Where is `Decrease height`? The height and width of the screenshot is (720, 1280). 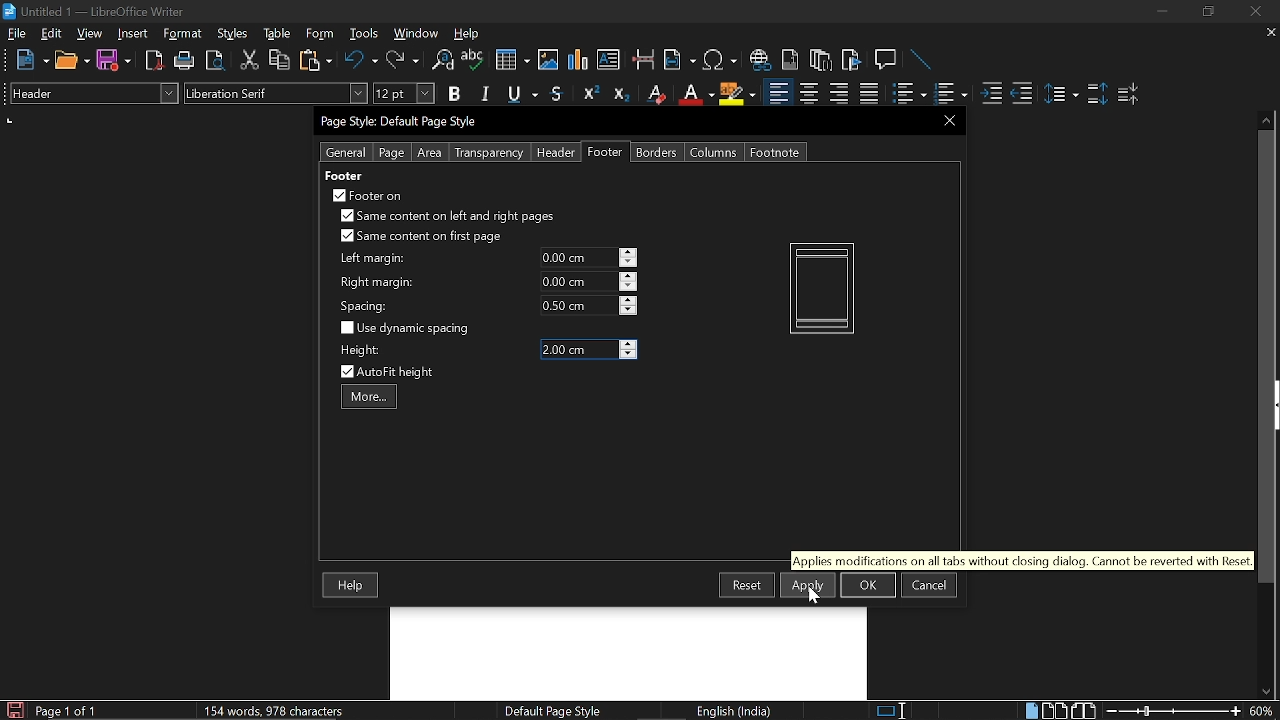 Decrease height is located at coordinates (628, 355).